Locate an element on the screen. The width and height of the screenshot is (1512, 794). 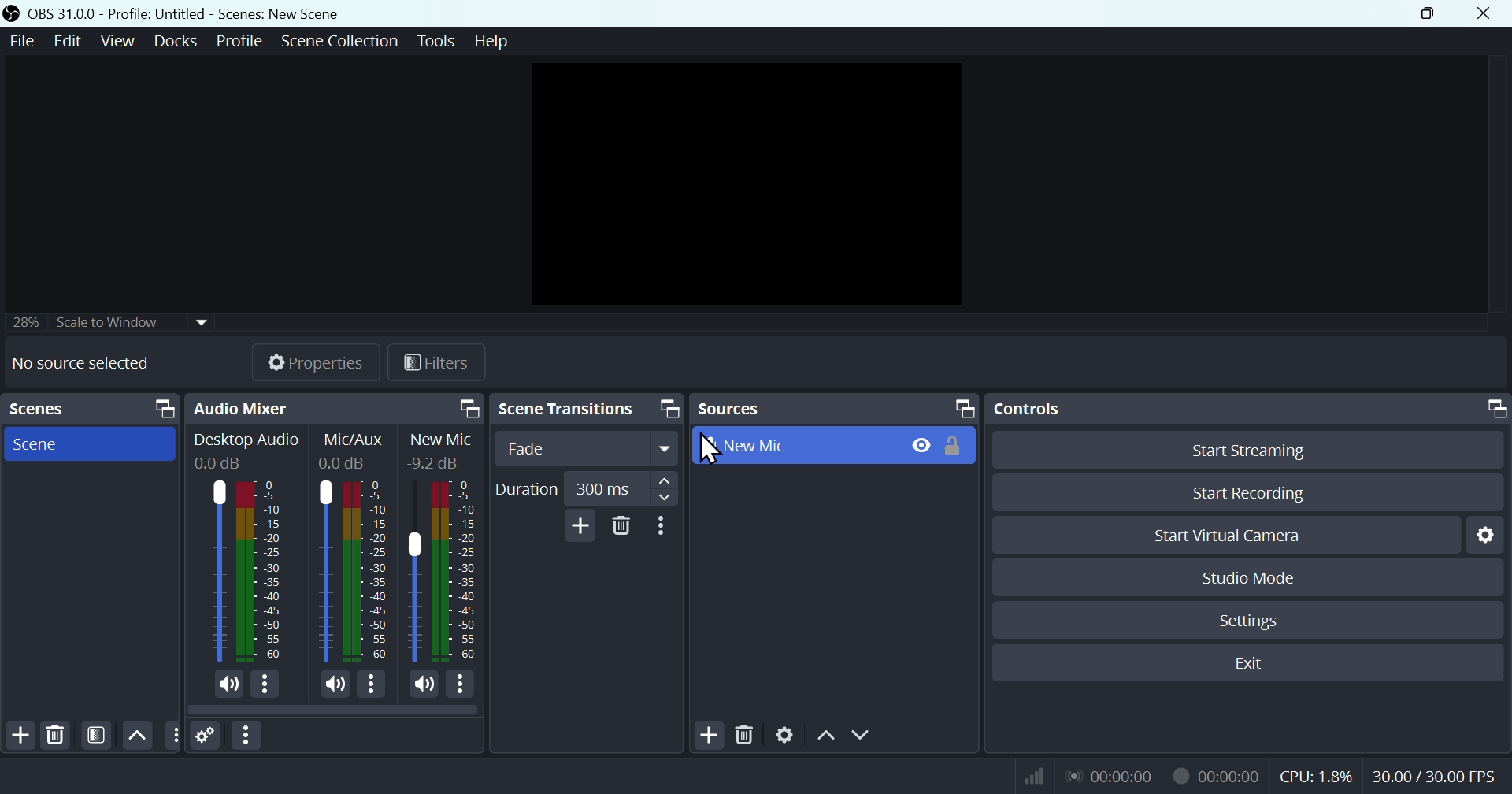
0.0dB is located at coordinates (224, 463).